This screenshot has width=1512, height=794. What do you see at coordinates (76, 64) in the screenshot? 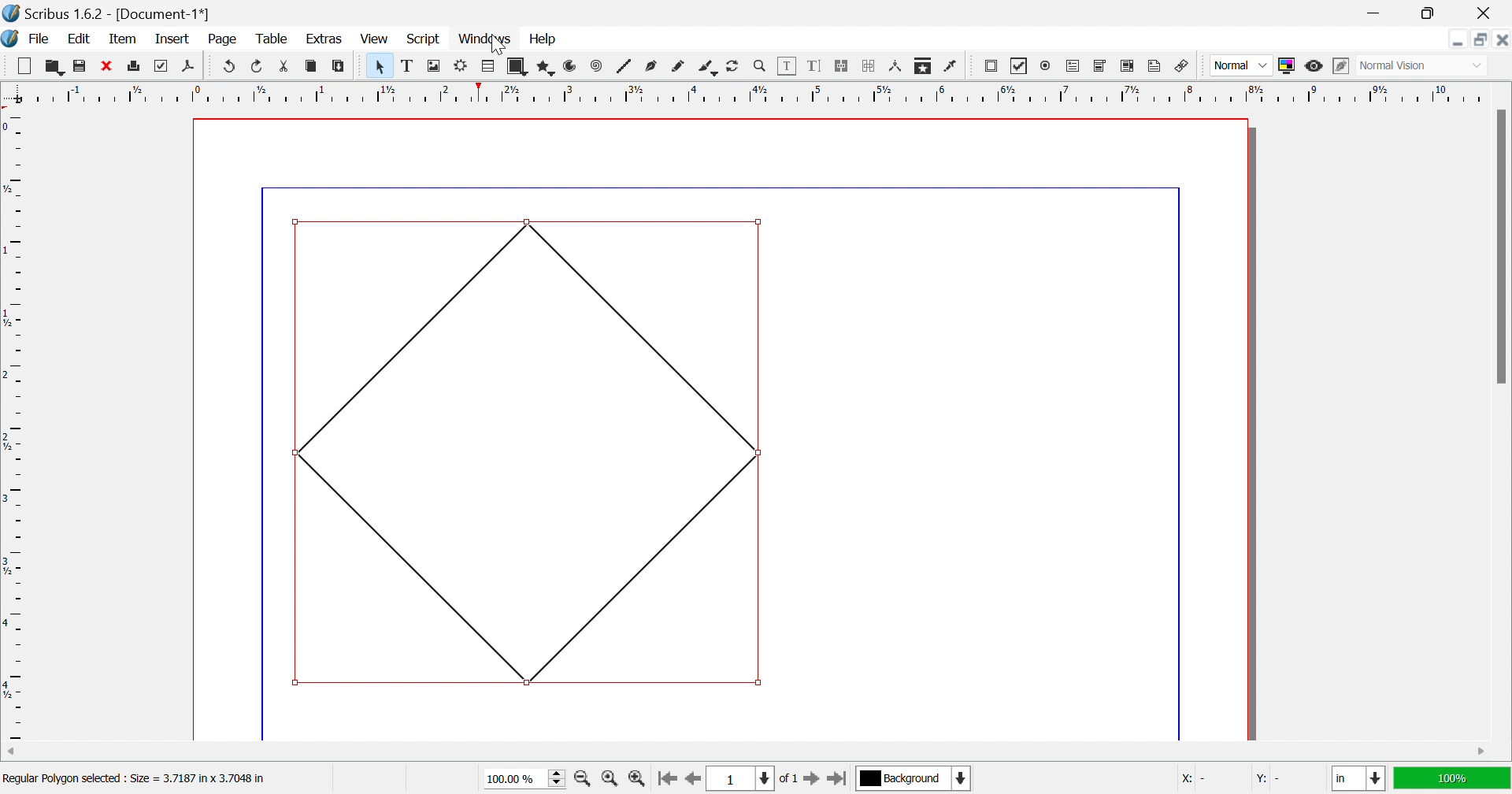
I see `Save` at bounding box center [76, 64].